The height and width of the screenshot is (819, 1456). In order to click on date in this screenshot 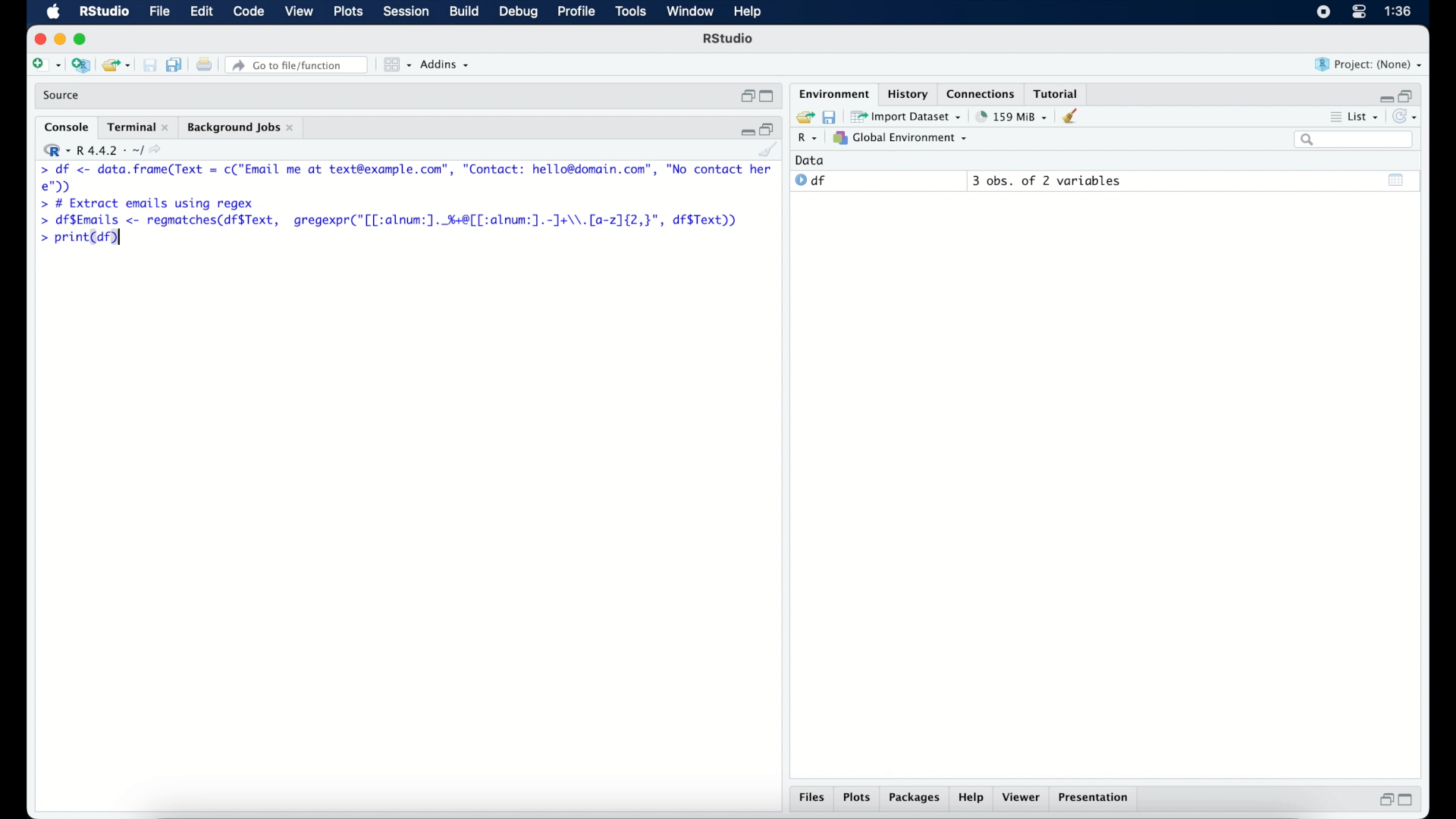, I will do `click(811, 160)`.